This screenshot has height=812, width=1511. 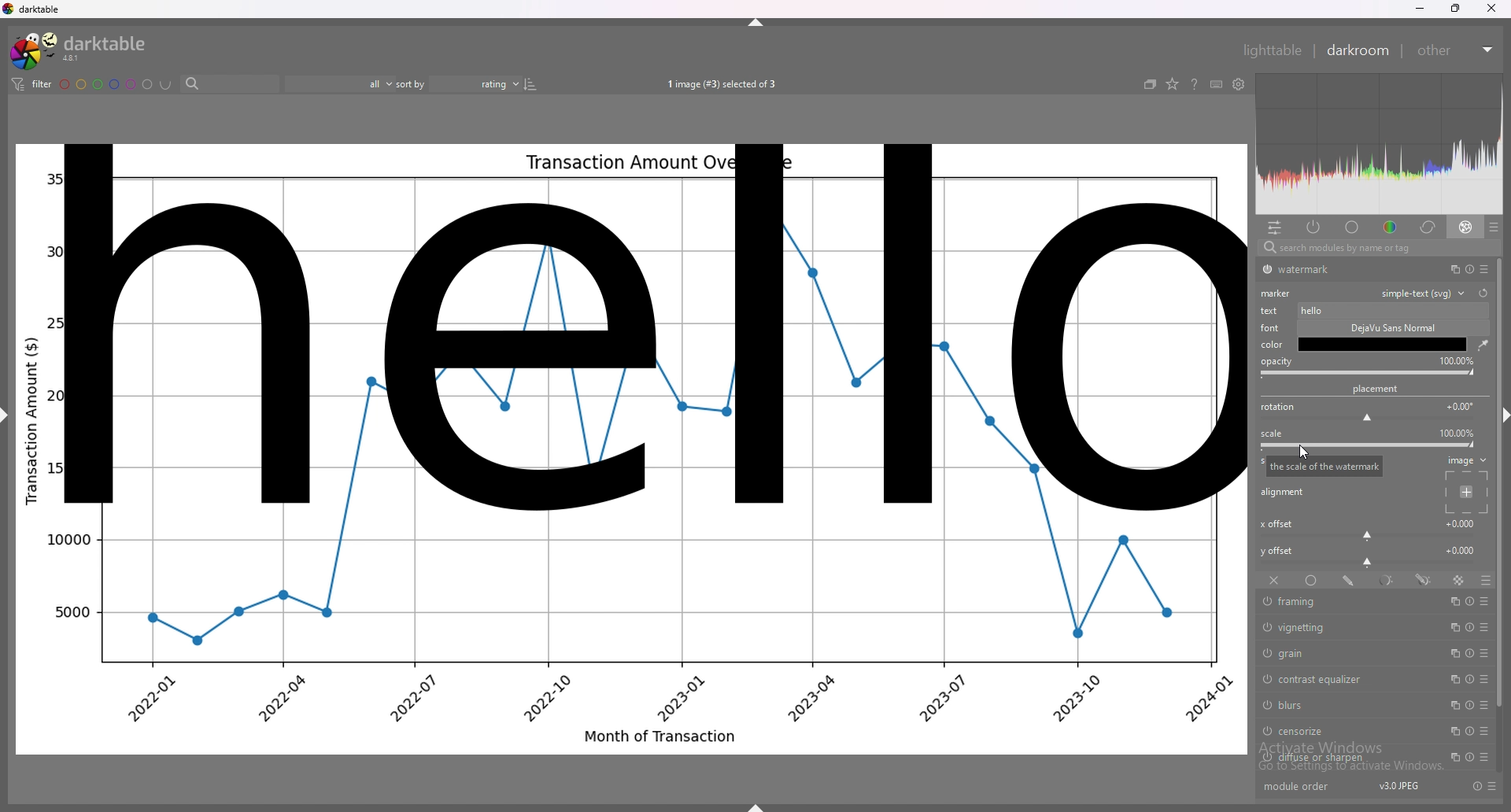 I want to click on switch off, so click(x=1267, y=706).